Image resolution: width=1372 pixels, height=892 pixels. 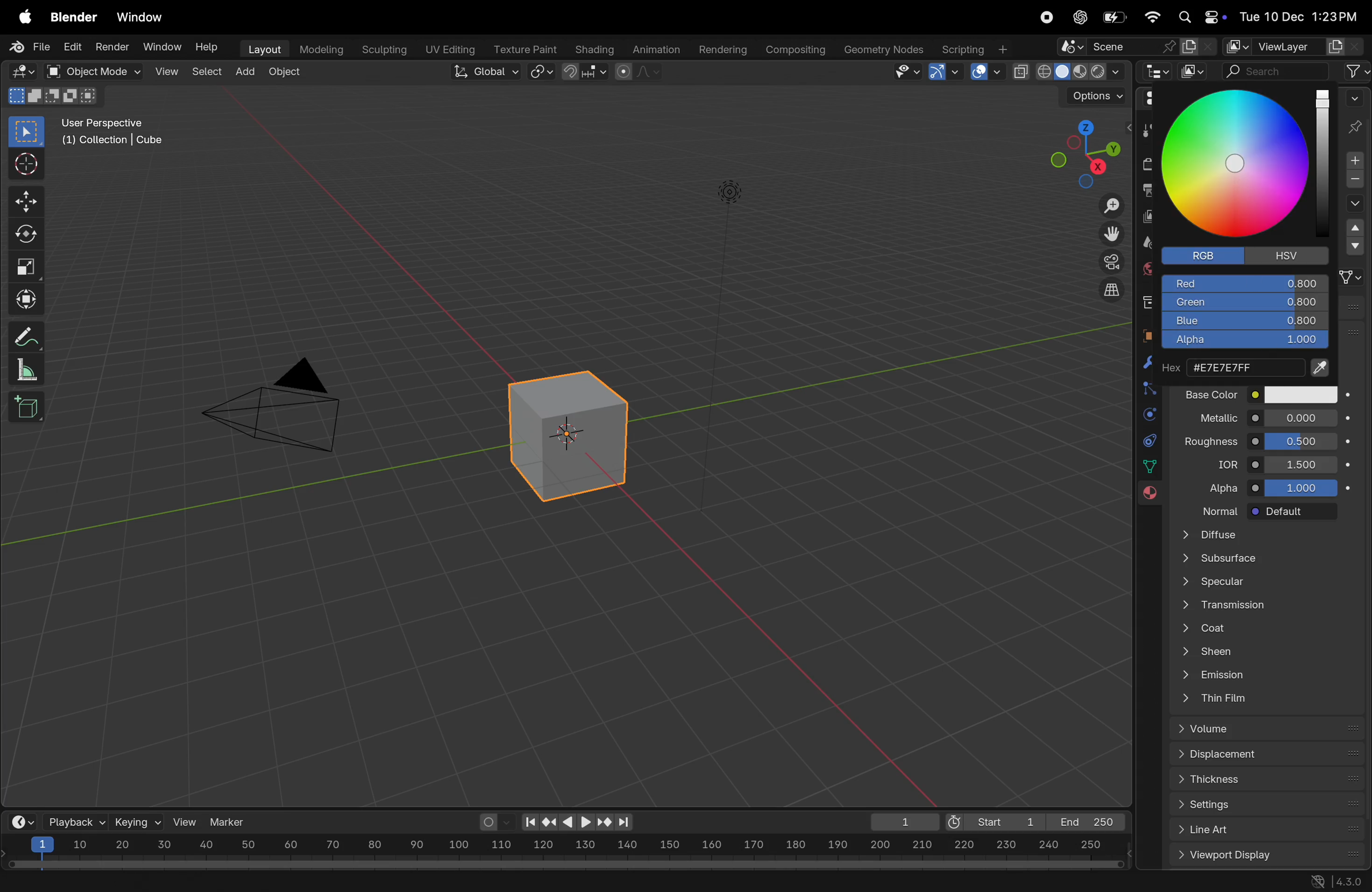 What do you see at coordinates (1356, 71) in the screenshot?
I see `filter` at bounding box center [1356, 71].